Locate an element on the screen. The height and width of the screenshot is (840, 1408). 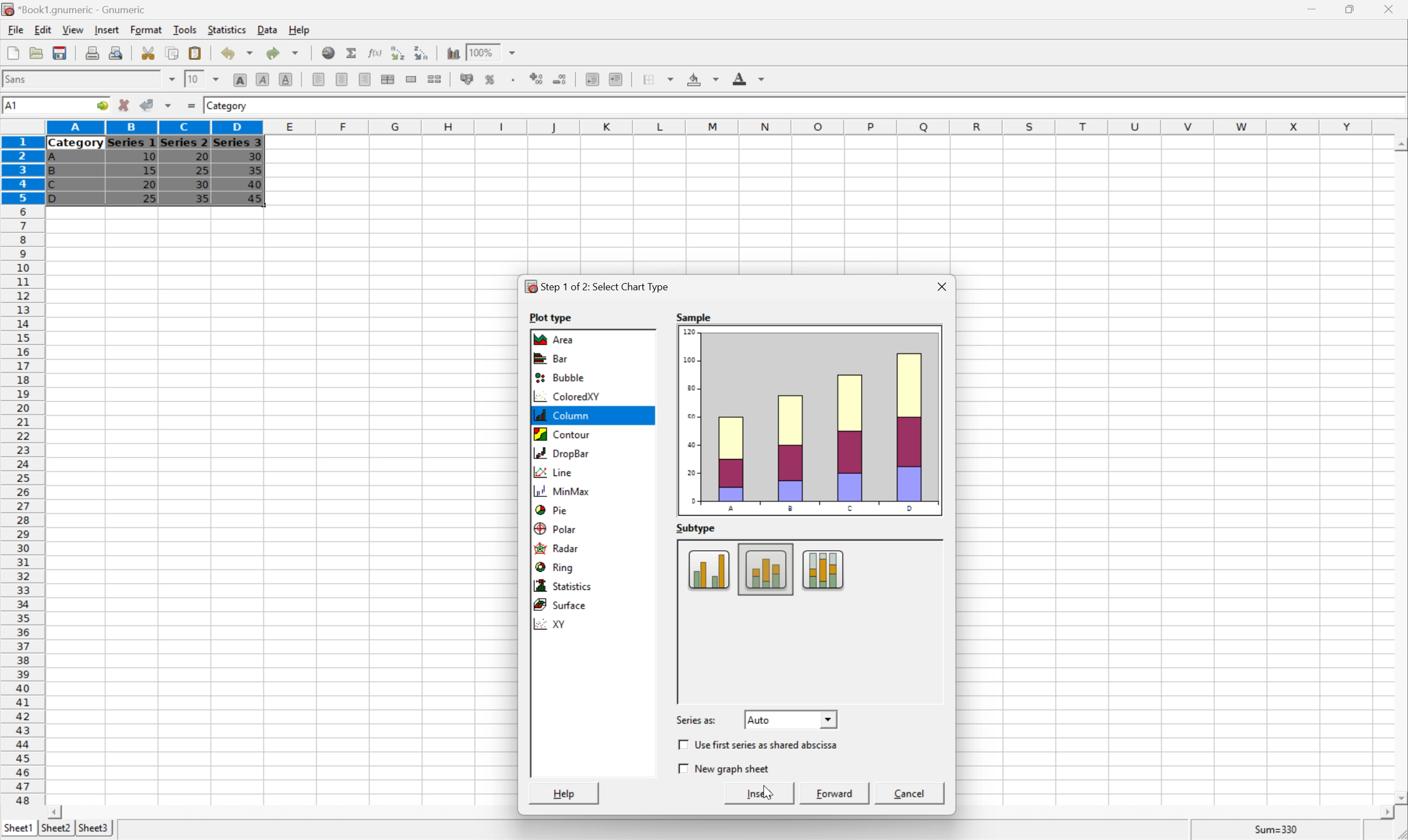
Checkbox is located at coordinates (681, 744).